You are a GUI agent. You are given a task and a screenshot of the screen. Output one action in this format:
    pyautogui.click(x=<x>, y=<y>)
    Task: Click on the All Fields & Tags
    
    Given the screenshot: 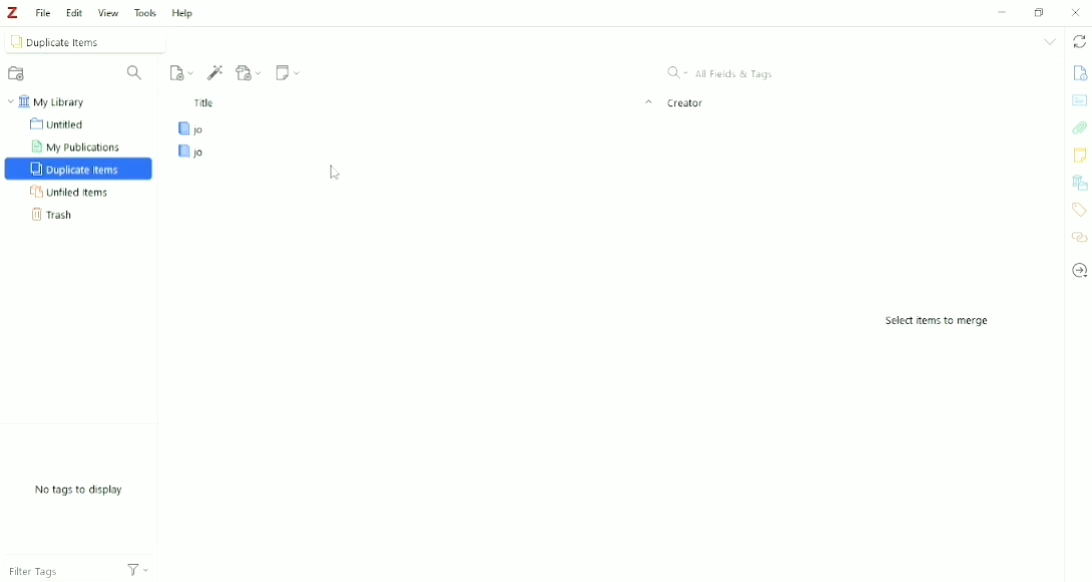 What is the action you would take?
    pyautogui.click(x=721, y=72)
    